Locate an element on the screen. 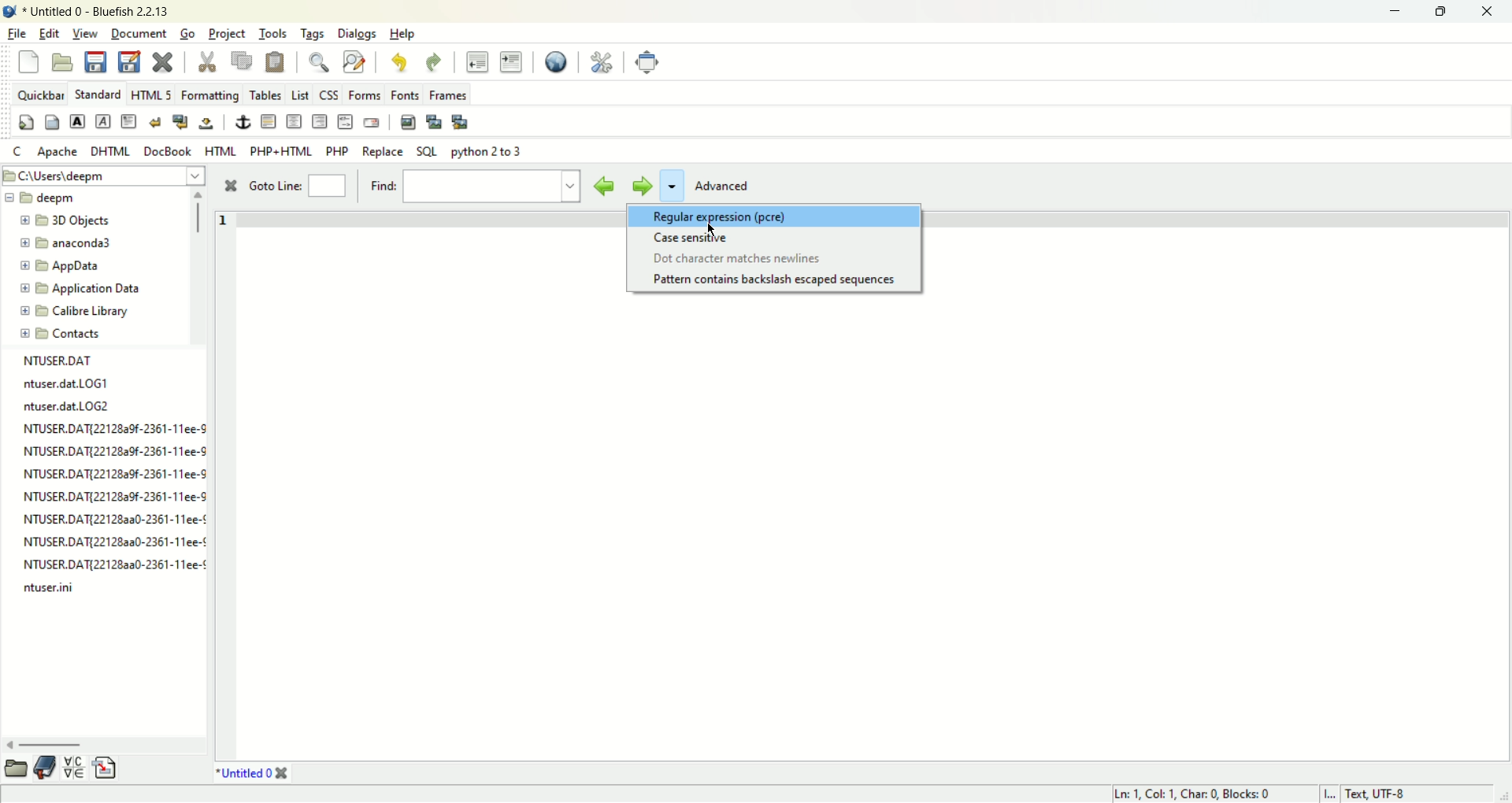 This screenshot has height=803, width=1512. c:\users\deeppm is located at coordinates (76, 177).